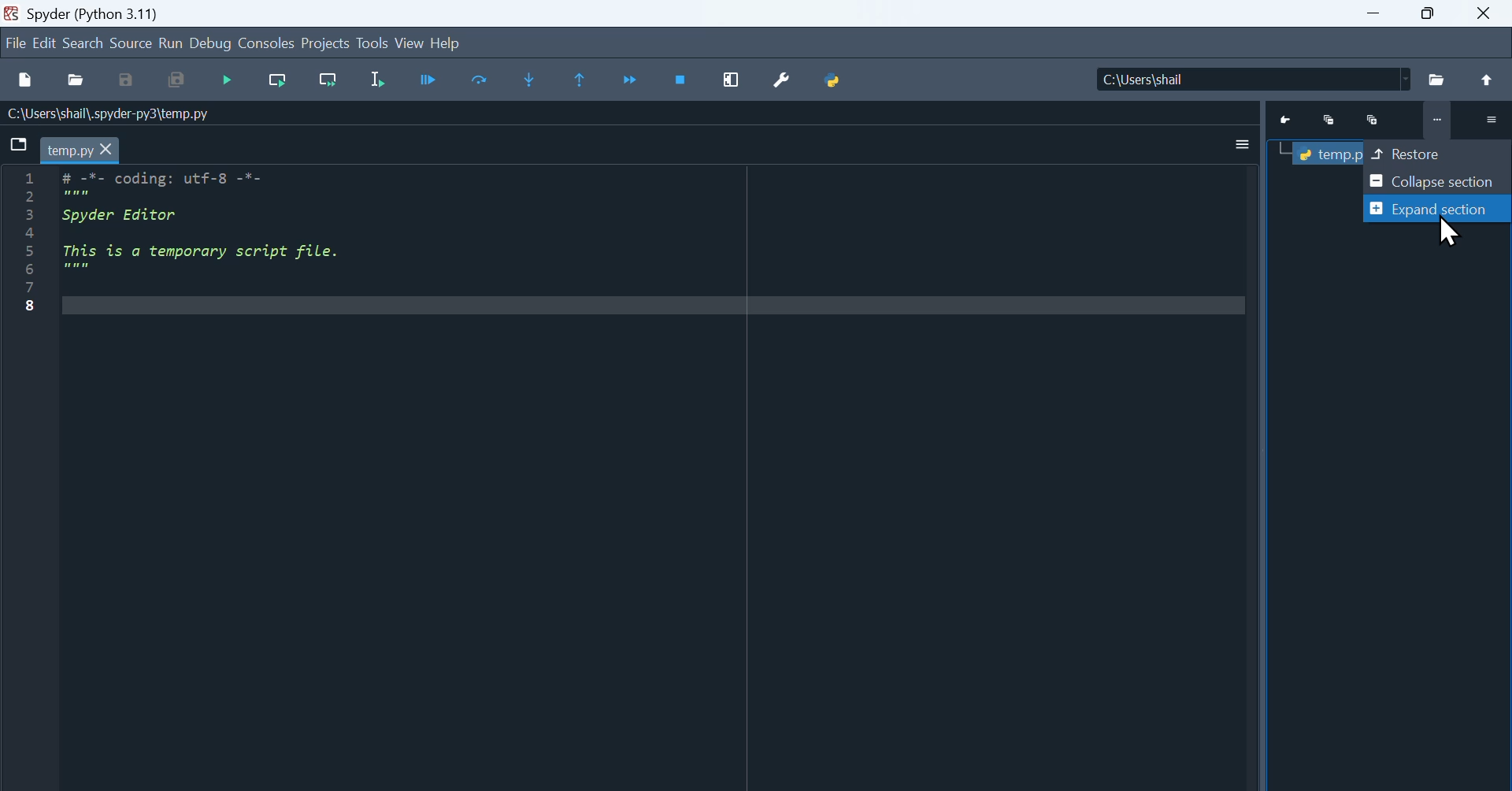 The height and width of the screenshot is (791, 1512). I want to click on Code, so click(225, 224).